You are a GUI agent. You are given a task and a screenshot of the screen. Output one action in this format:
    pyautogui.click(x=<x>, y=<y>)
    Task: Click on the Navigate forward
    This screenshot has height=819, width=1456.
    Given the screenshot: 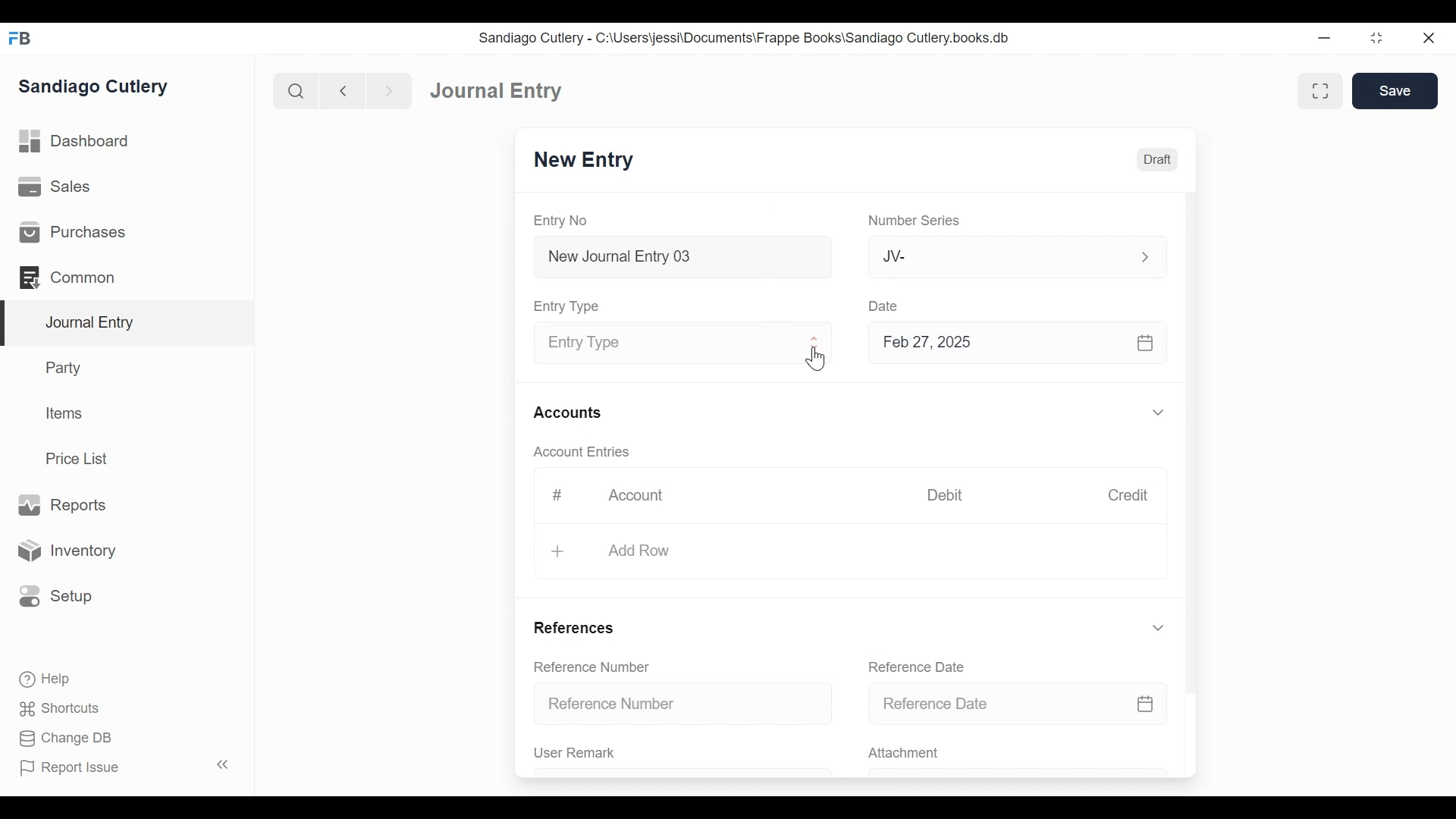 What is the action you would take?
    pyautogui.click(x=388, y=91)
    